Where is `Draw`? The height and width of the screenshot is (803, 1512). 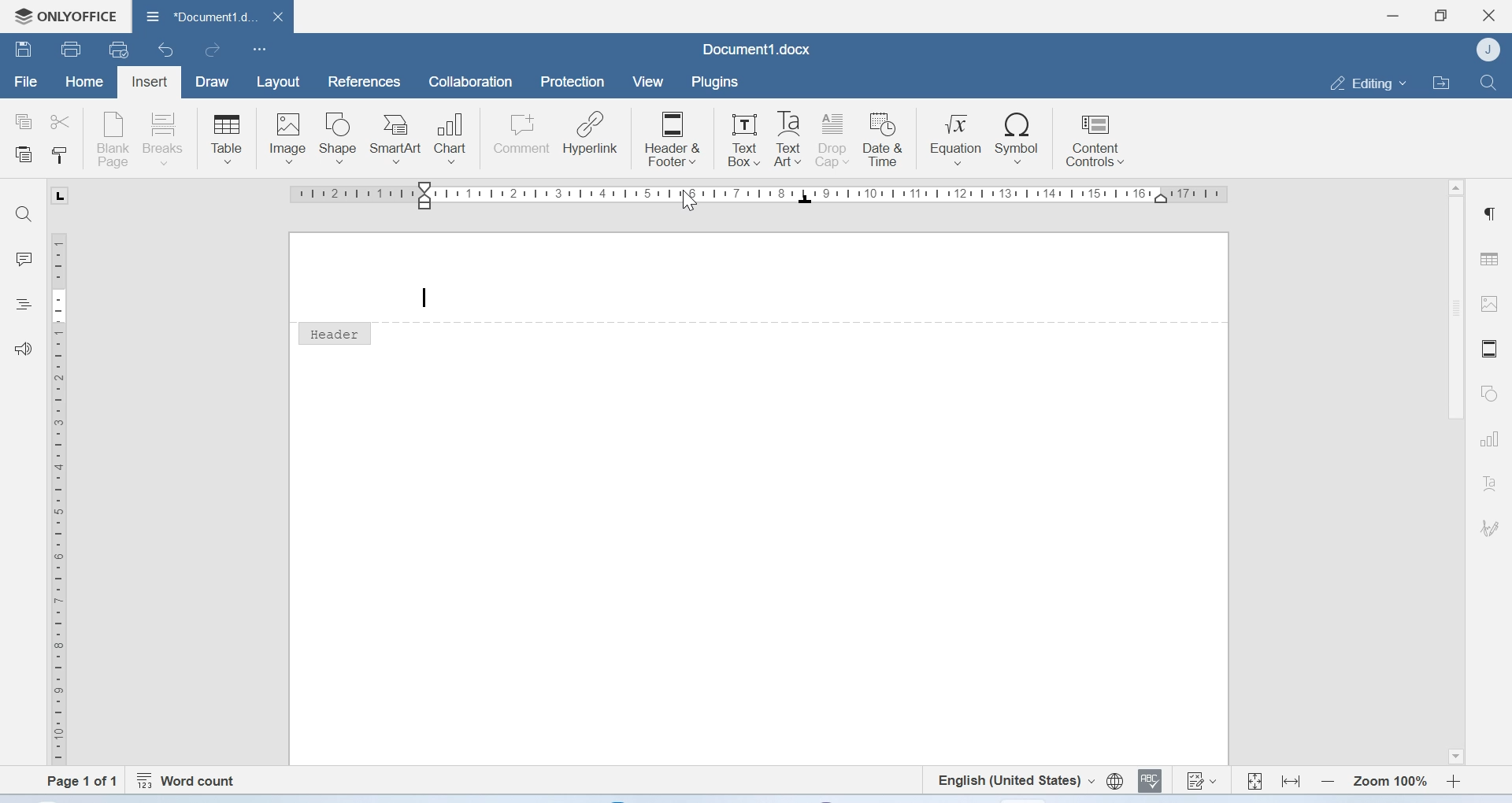
Draw is located at coordinates (216, 81).